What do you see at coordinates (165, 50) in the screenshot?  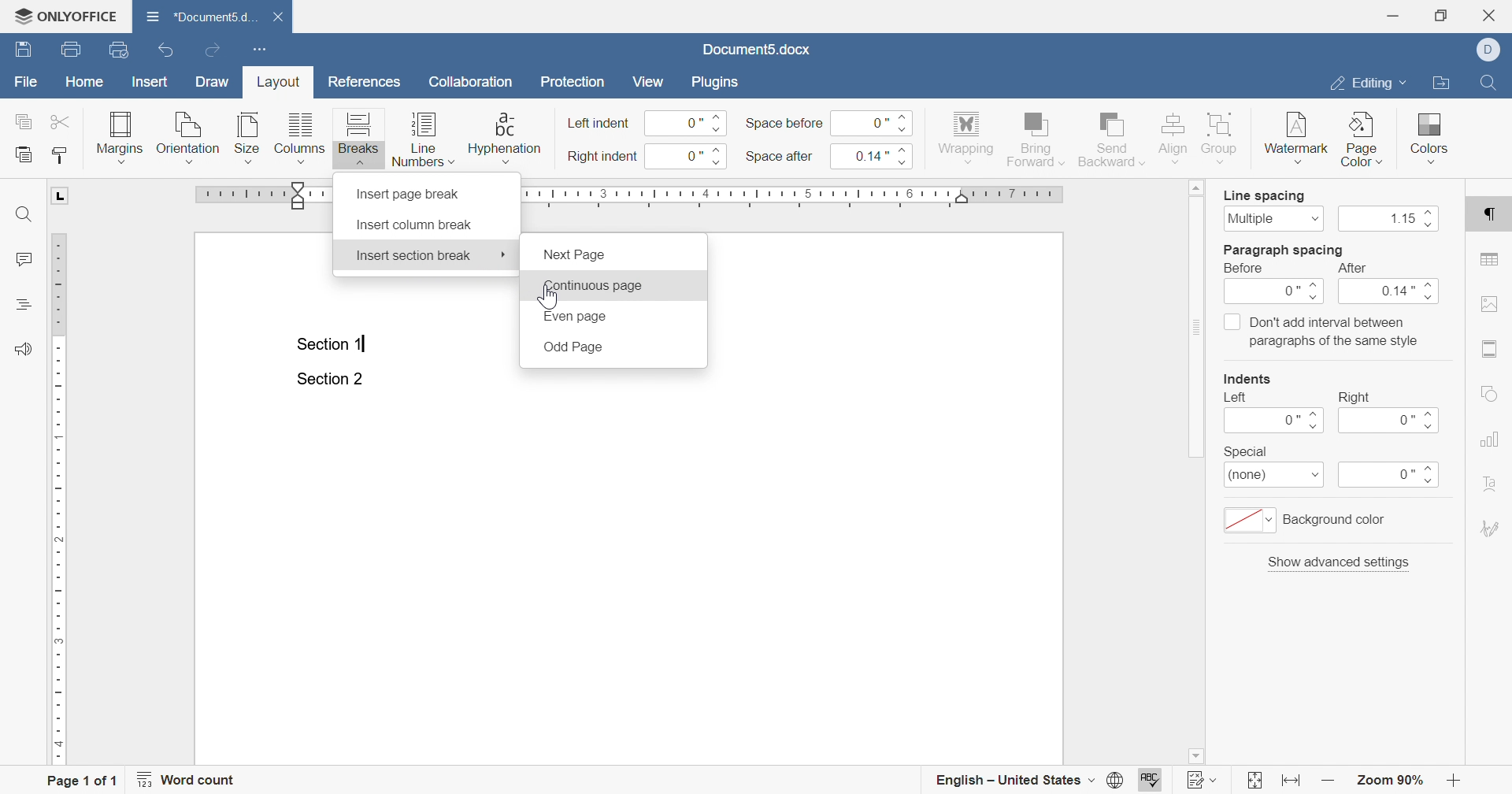 I see `undo` at bounding box center [165, 50].